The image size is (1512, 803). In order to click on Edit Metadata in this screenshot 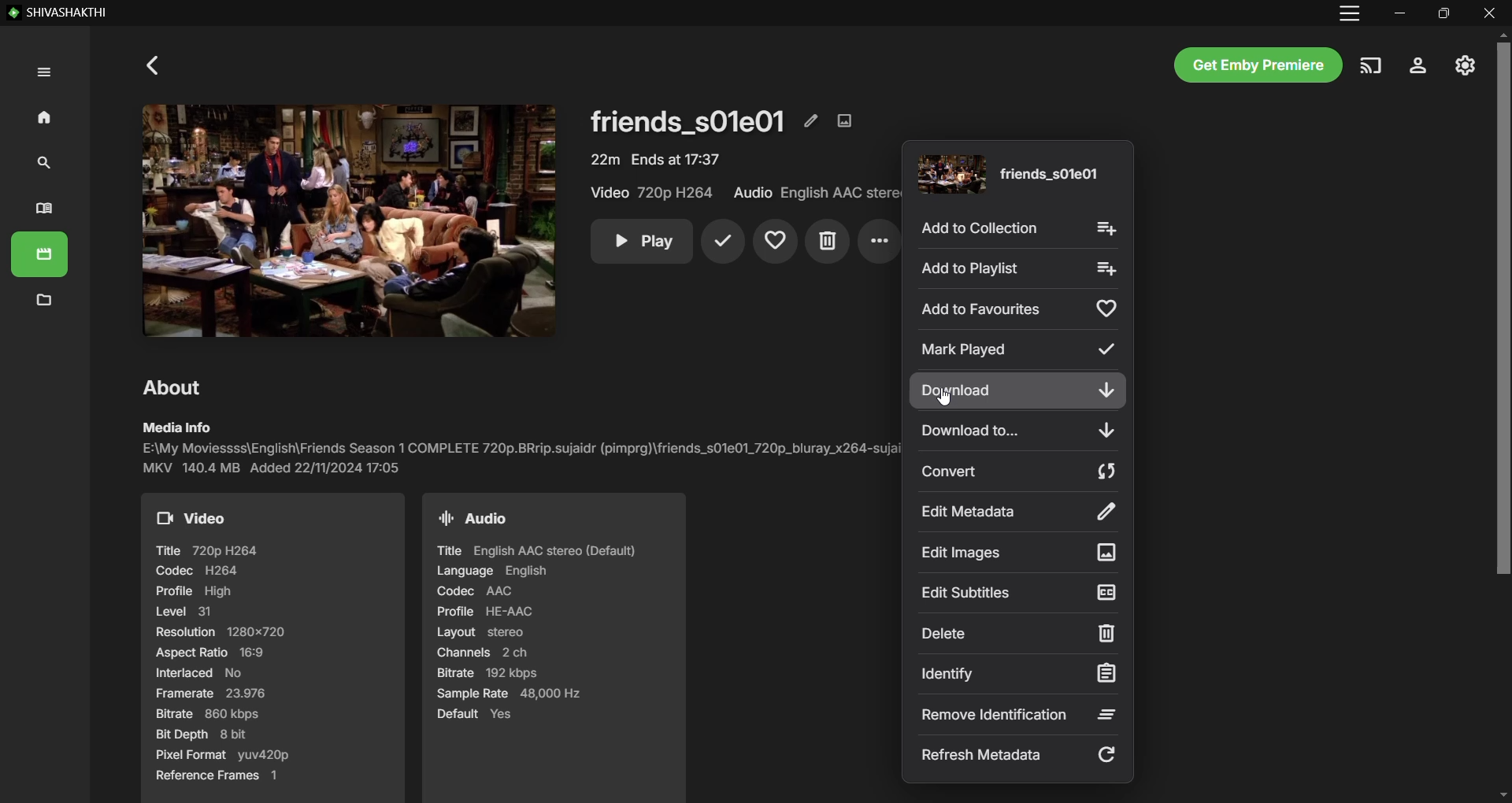, I will do `click(1020, 510)`.